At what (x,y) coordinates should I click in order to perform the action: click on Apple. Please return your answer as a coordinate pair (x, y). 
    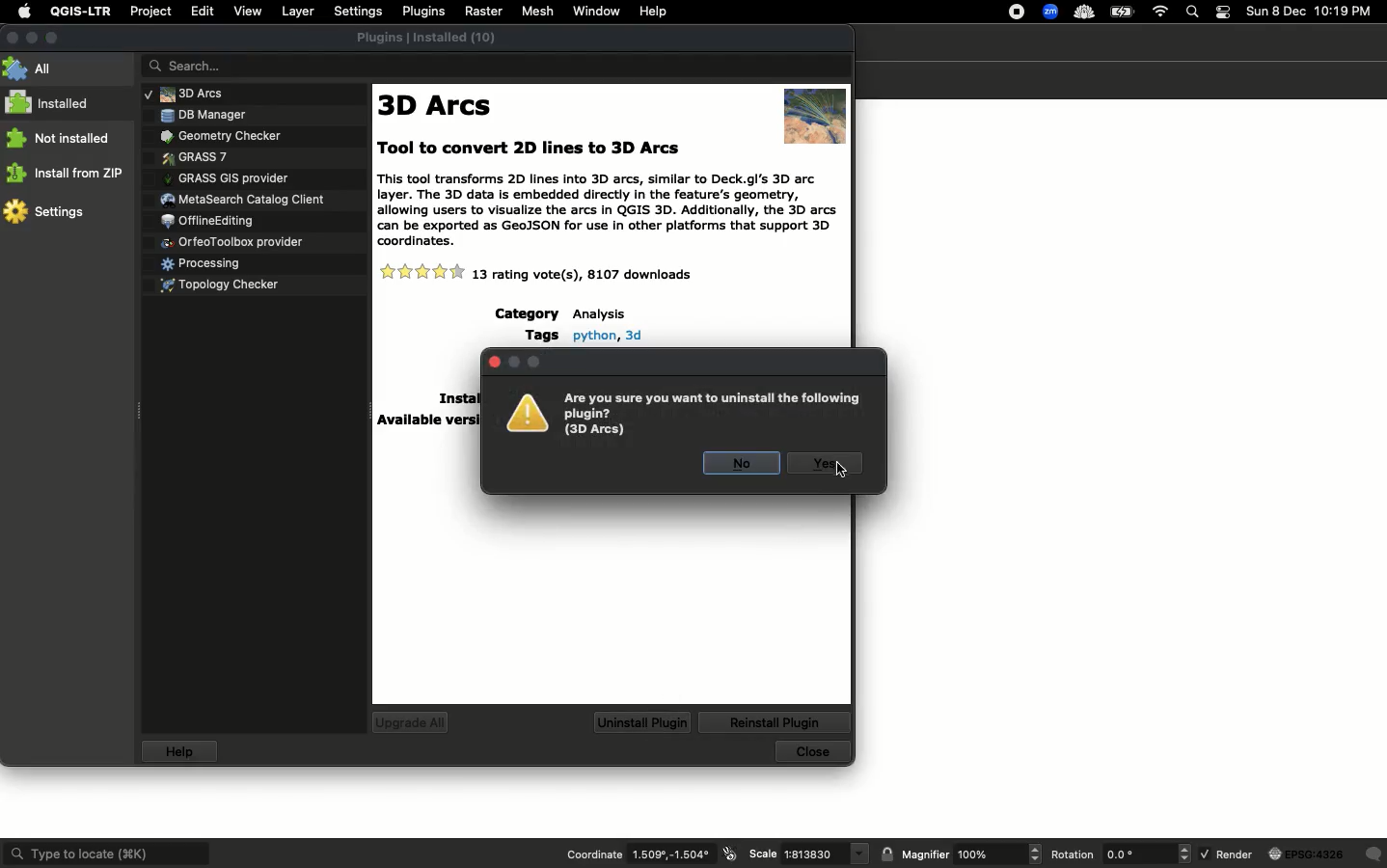
    Looking at the image, I should click on (24, 10).